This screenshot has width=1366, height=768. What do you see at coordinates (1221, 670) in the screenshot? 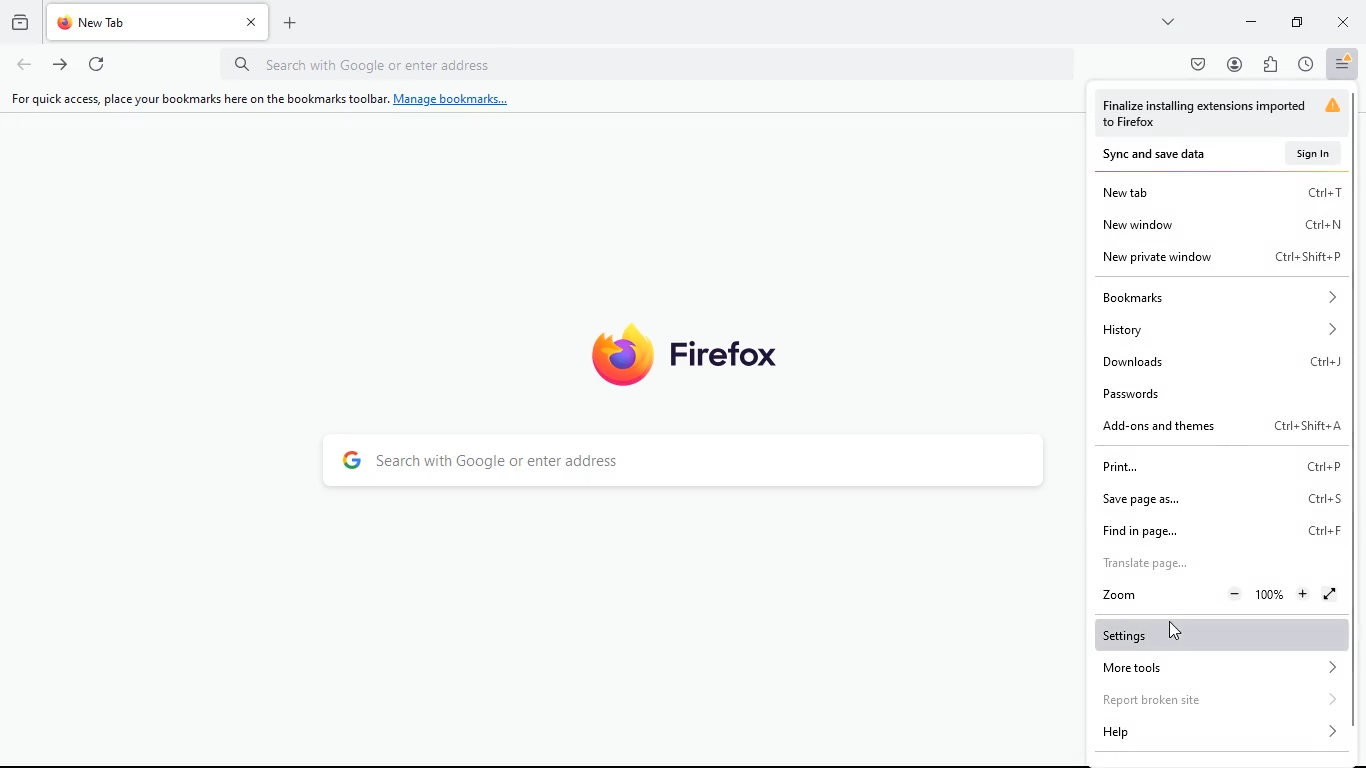
I see `more tools` at bounding box center [1221, 670].